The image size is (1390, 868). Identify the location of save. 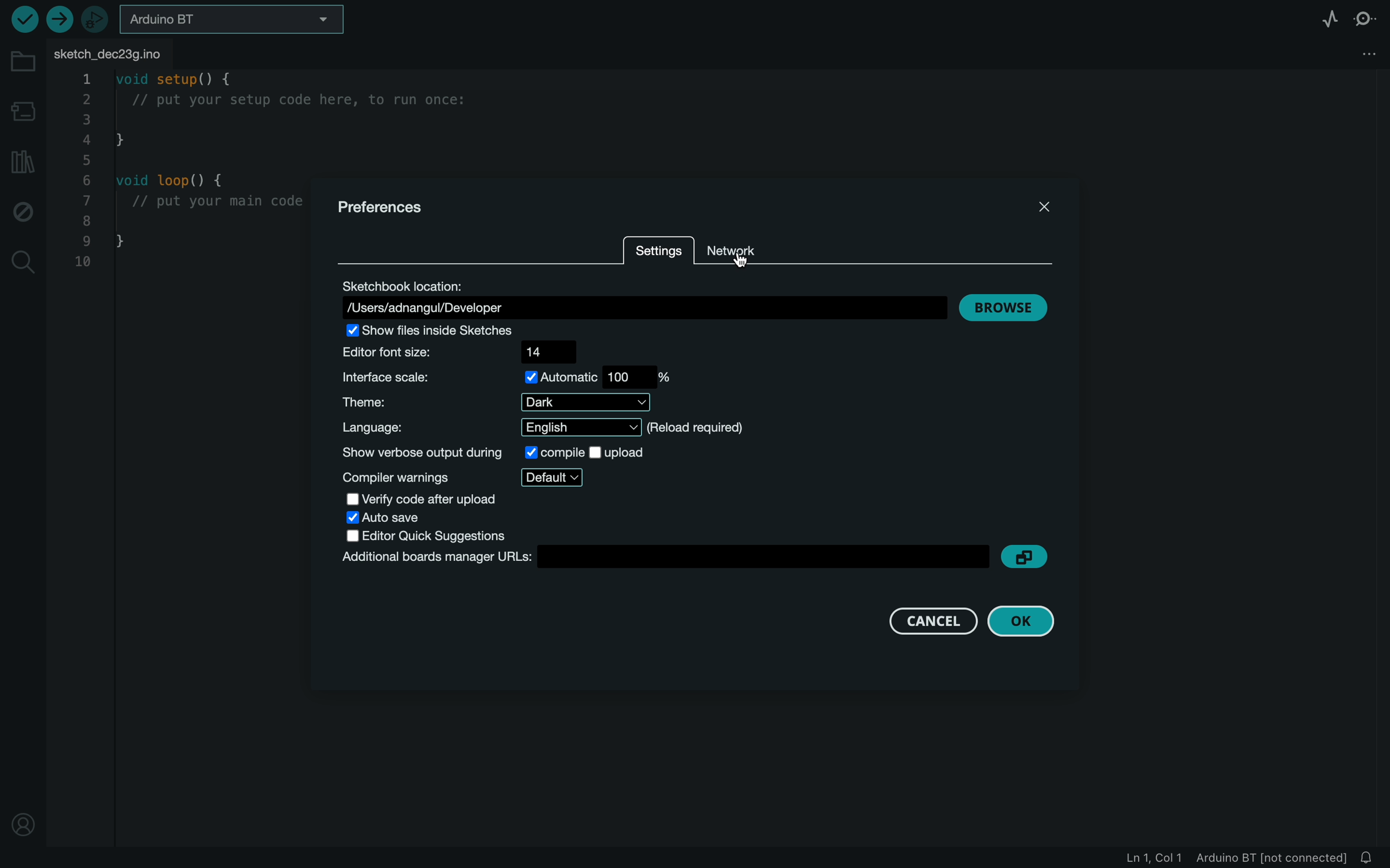
(391, 518).